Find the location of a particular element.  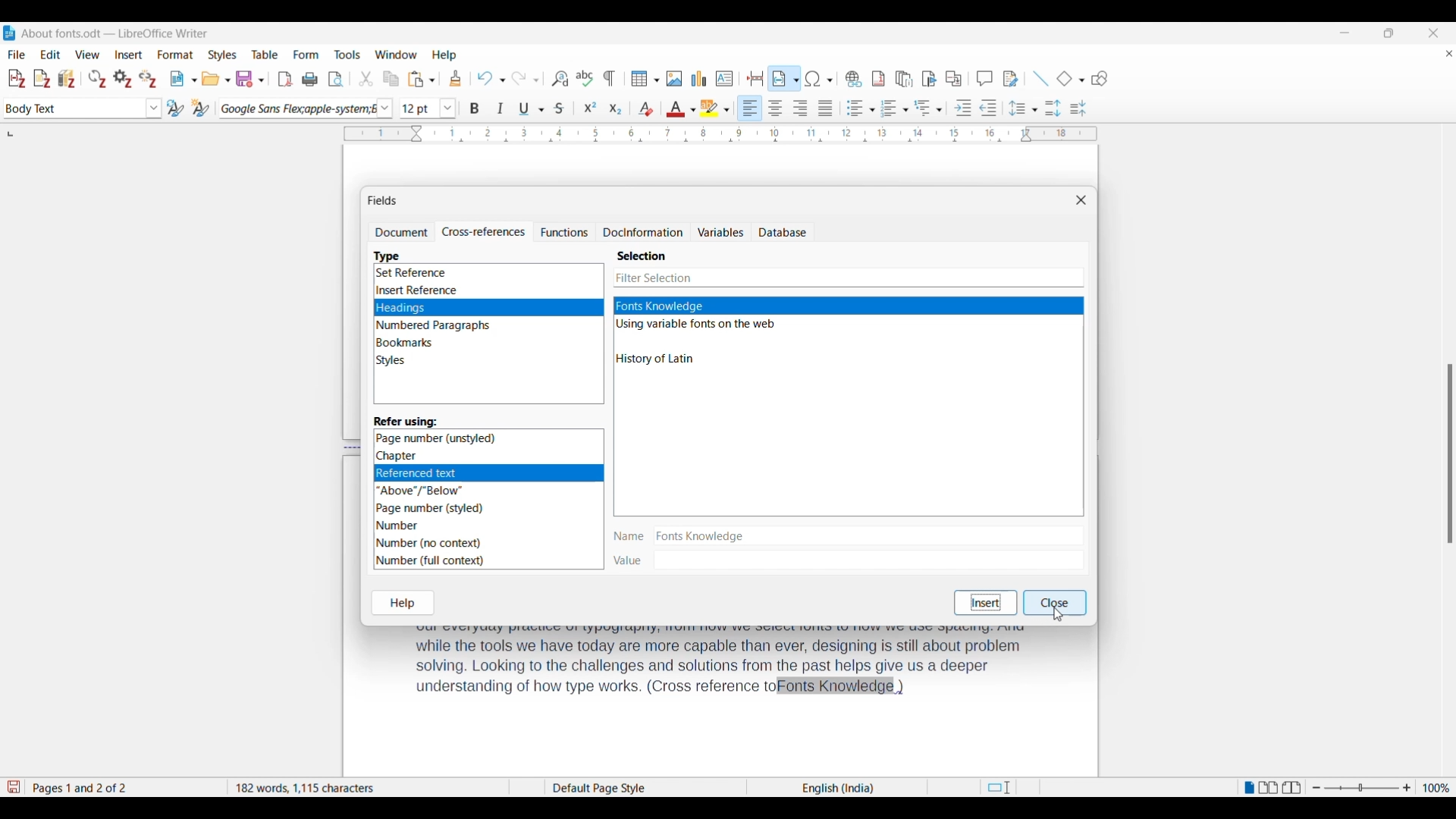

Decrease indentation is located at coordinates (989, 108).